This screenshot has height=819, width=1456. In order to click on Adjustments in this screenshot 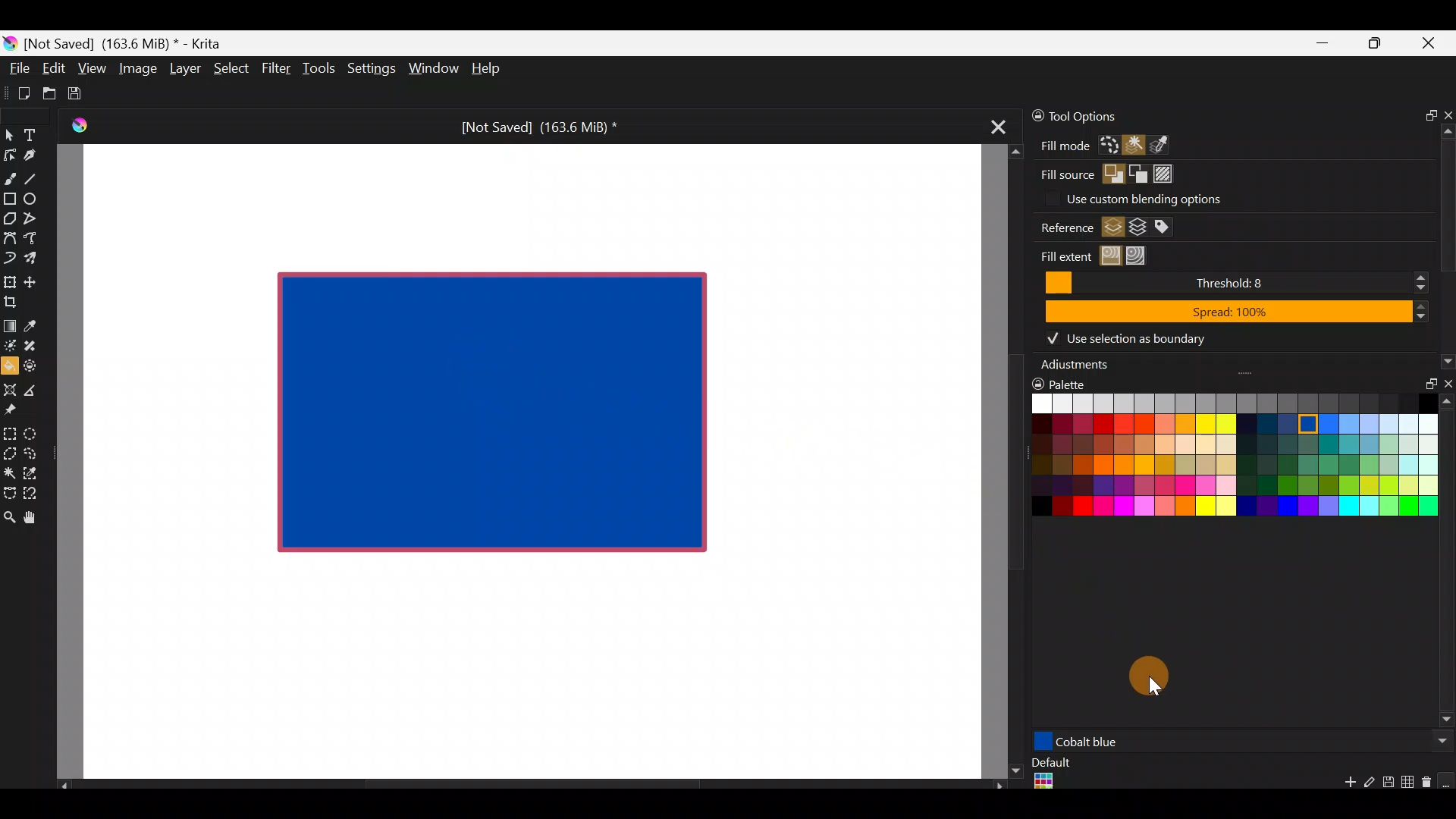, I will do `click(1078, 367)`.